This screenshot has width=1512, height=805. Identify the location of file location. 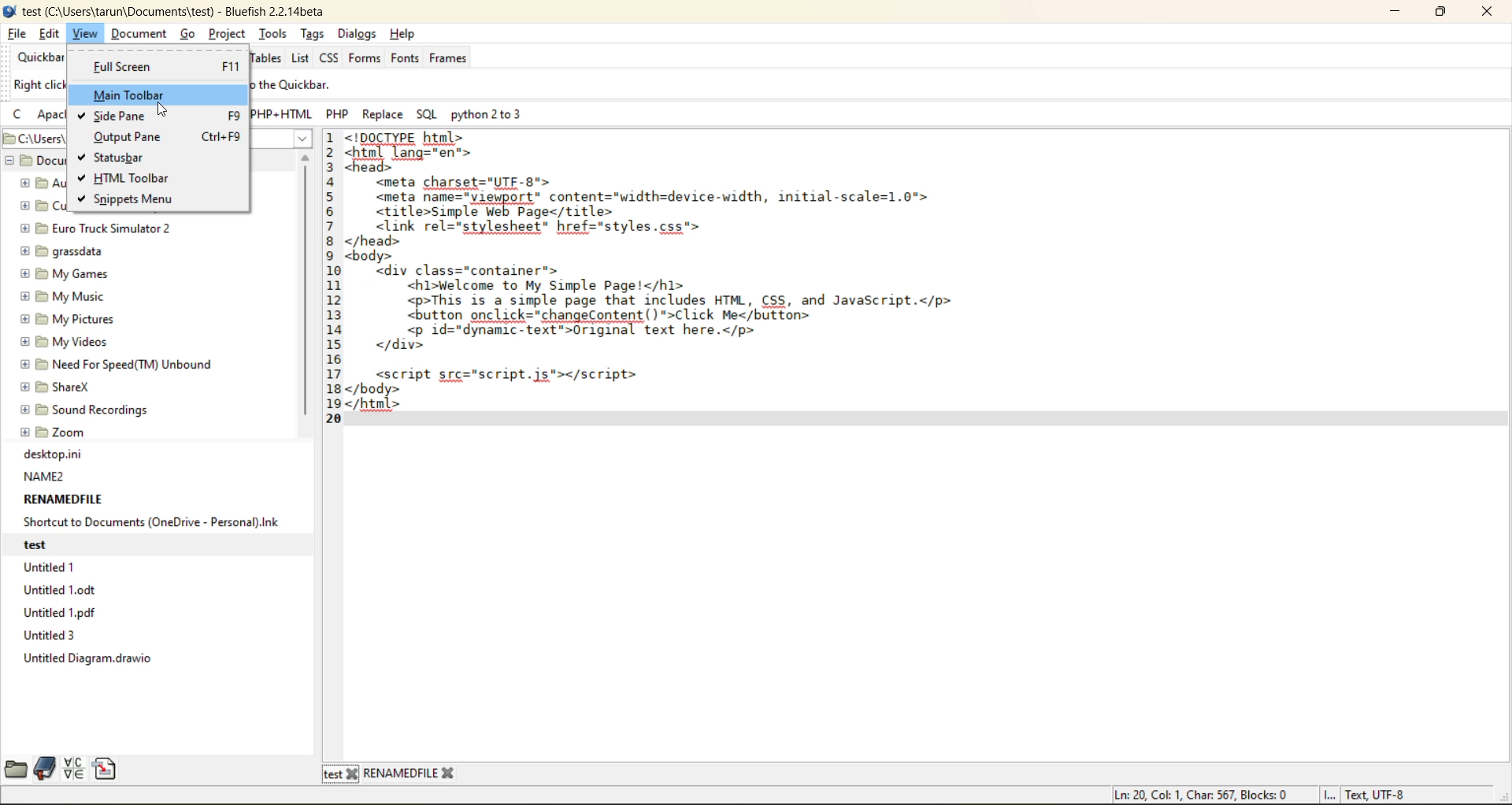
(32, 138).